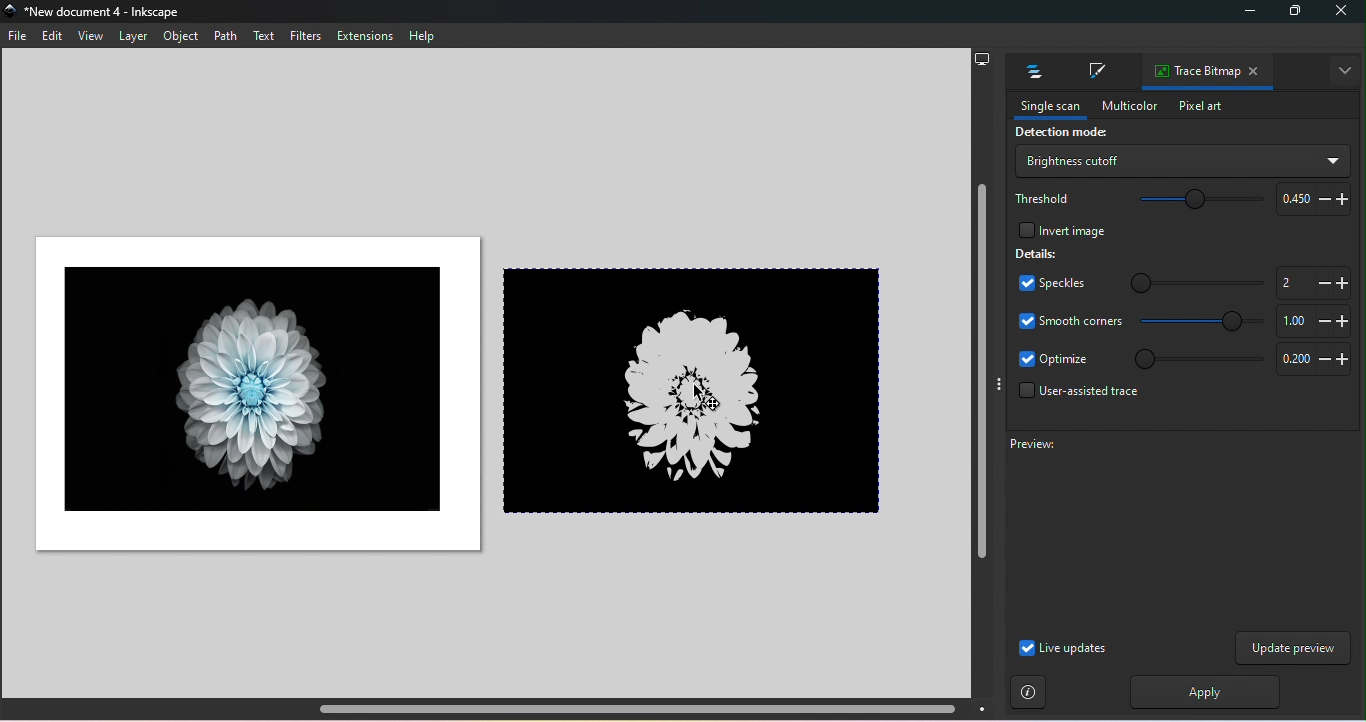  Describe the element at coordinates (1192, 72) in the screenshot. I see `Trace bitmap` at that location.